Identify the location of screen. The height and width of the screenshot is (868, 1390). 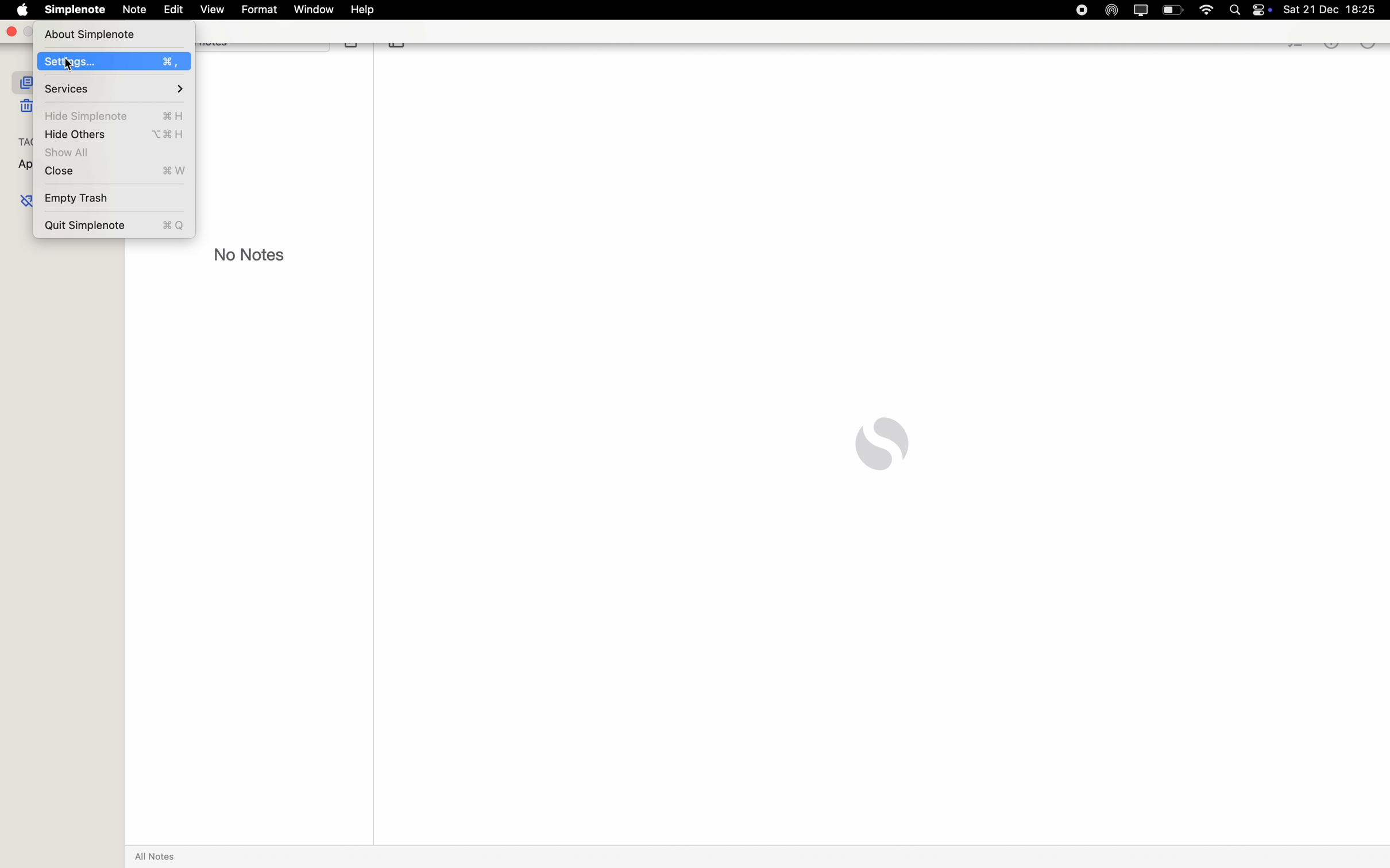
(1140, 10).